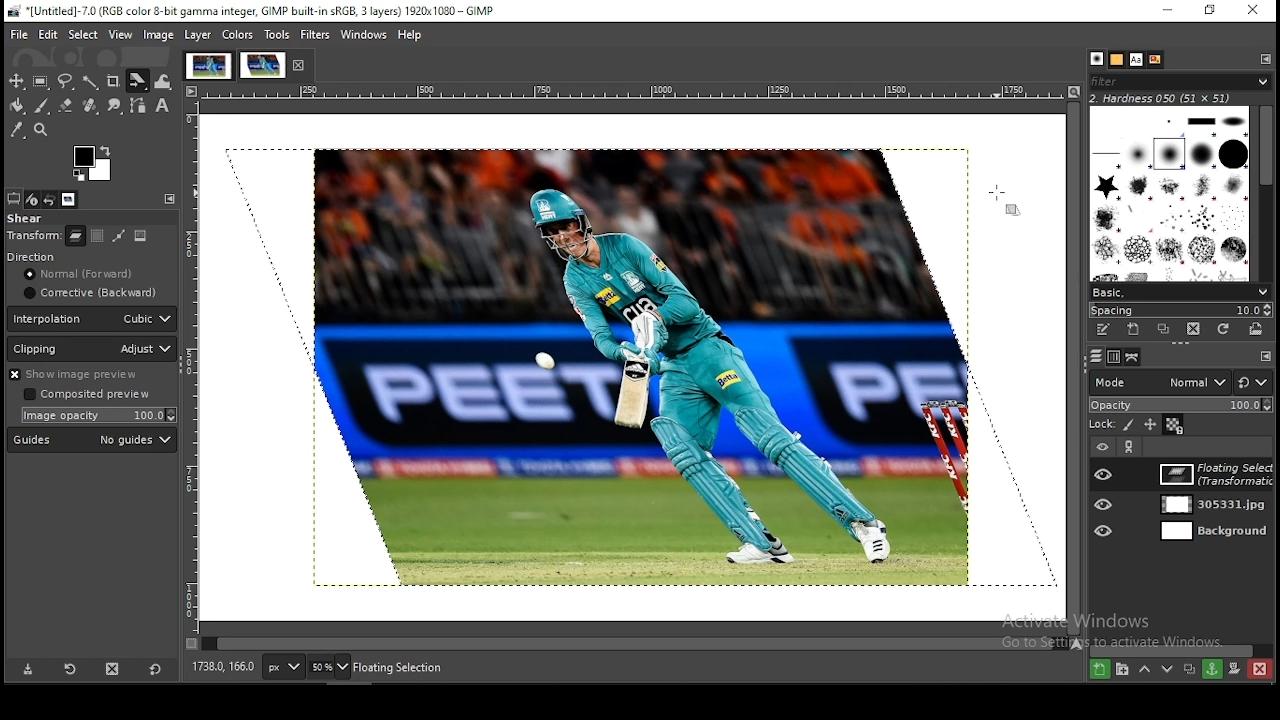 The image size is (1280, 720). What do you see at coordinates (96, 236) in the screenshot?
I see `selection` at bounding box center [96, 236].